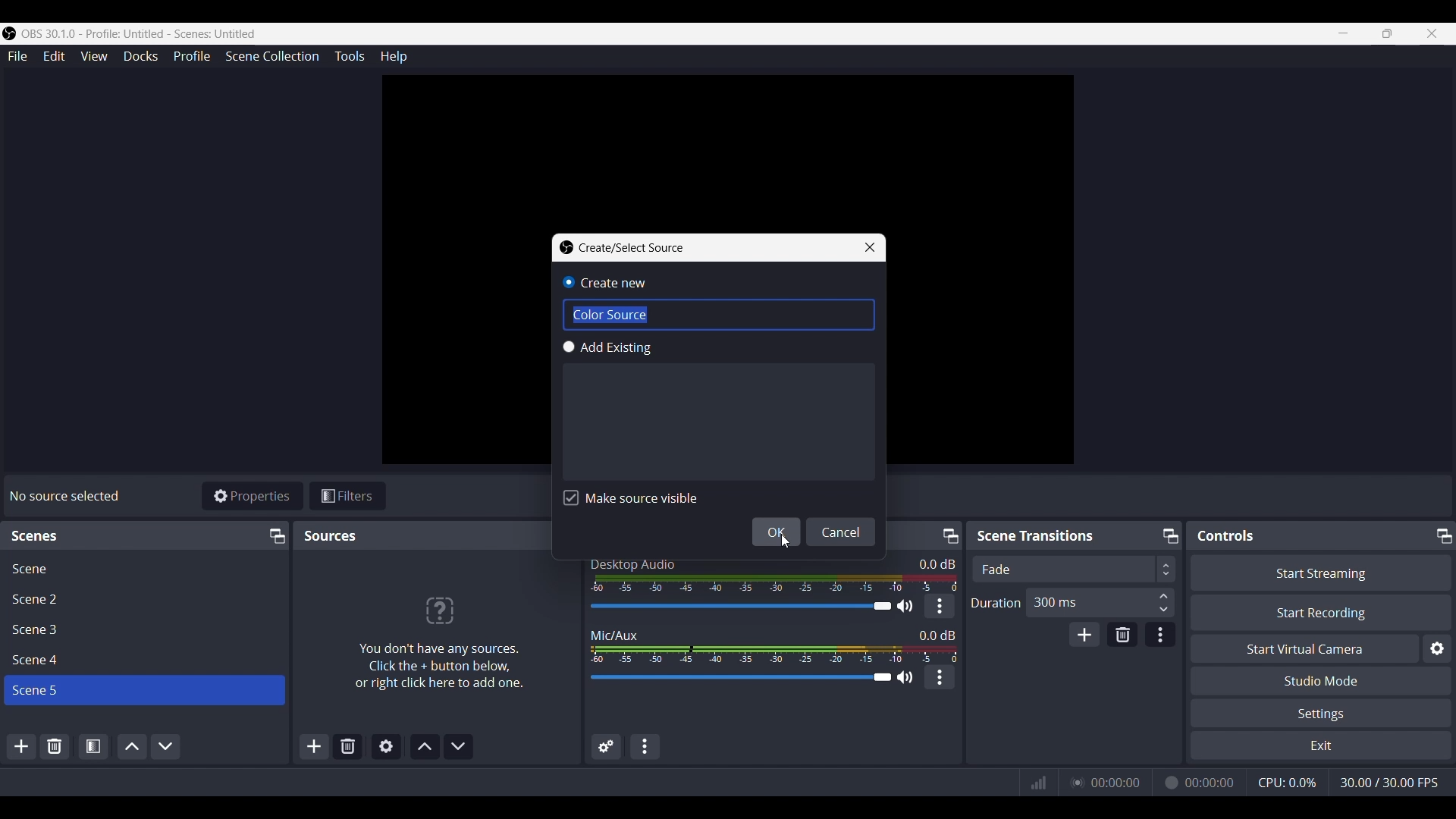 This screenshot has width=1456, height=819. Describe the element at coordinates (1084, 634) in the screenshot. I see `Add Configurable transition` at that location.